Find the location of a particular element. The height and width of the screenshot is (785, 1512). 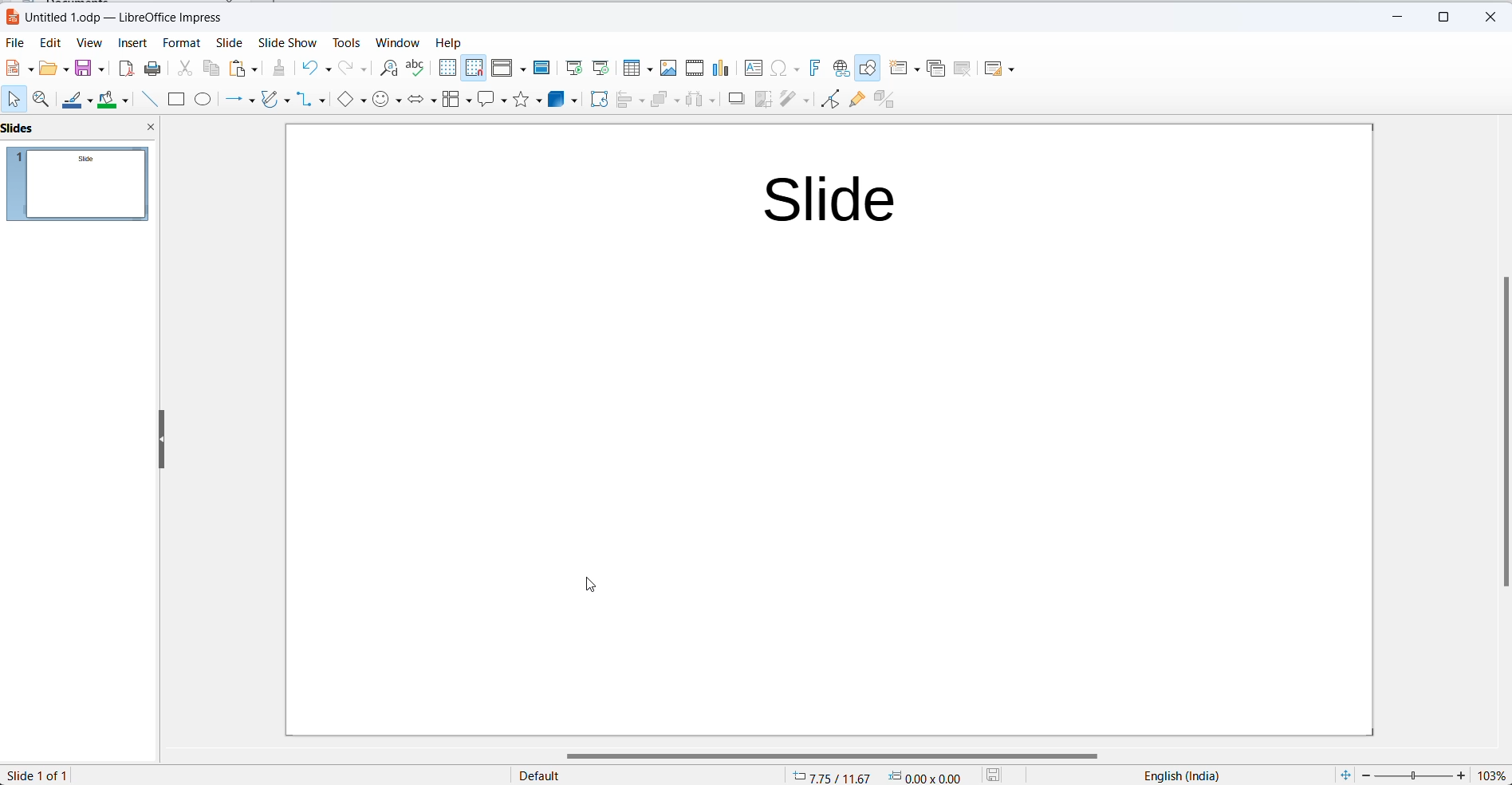

fill color is located at coordinates (113, 101).